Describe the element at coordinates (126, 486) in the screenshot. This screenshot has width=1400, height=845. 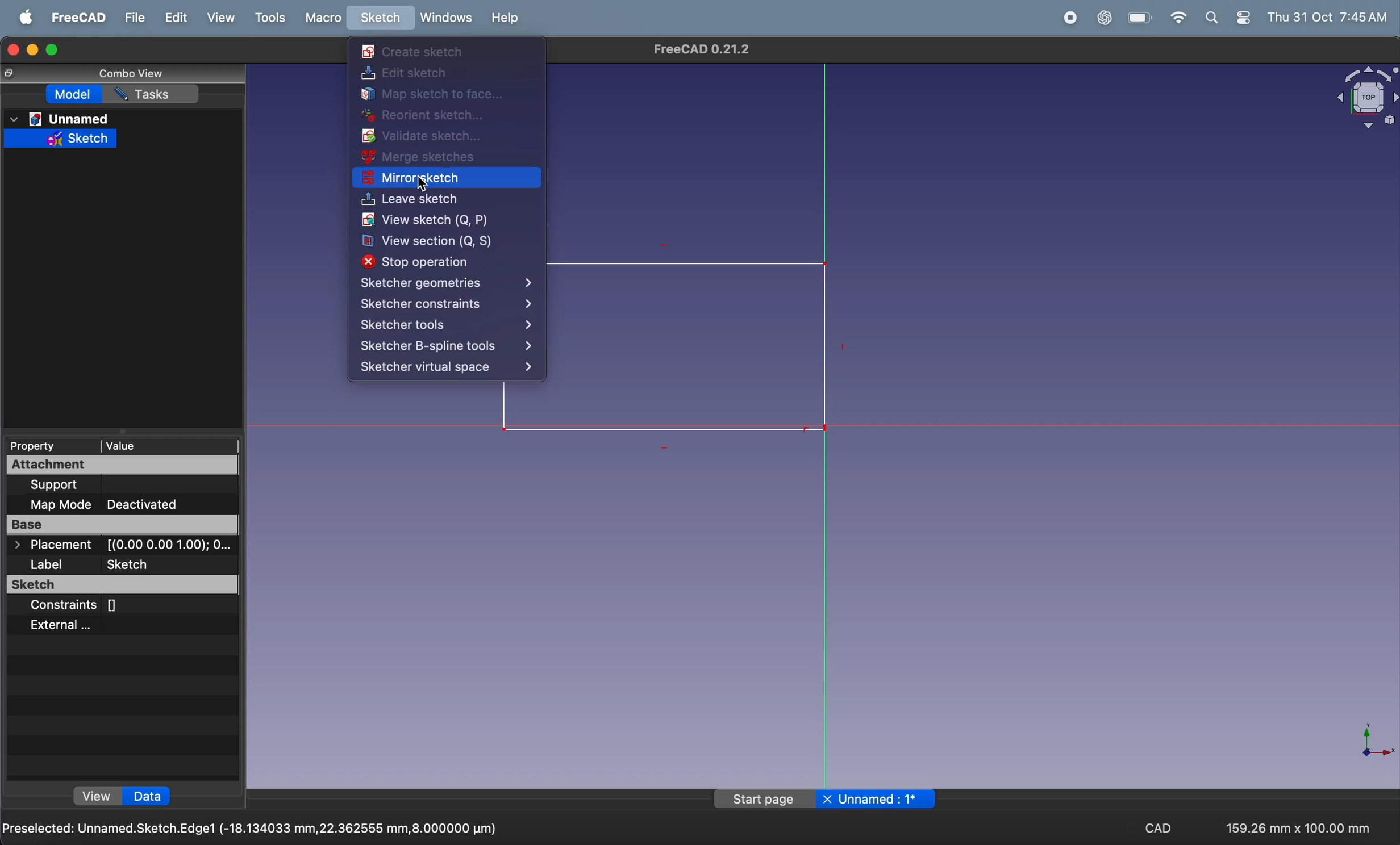
I see `support` at that location.